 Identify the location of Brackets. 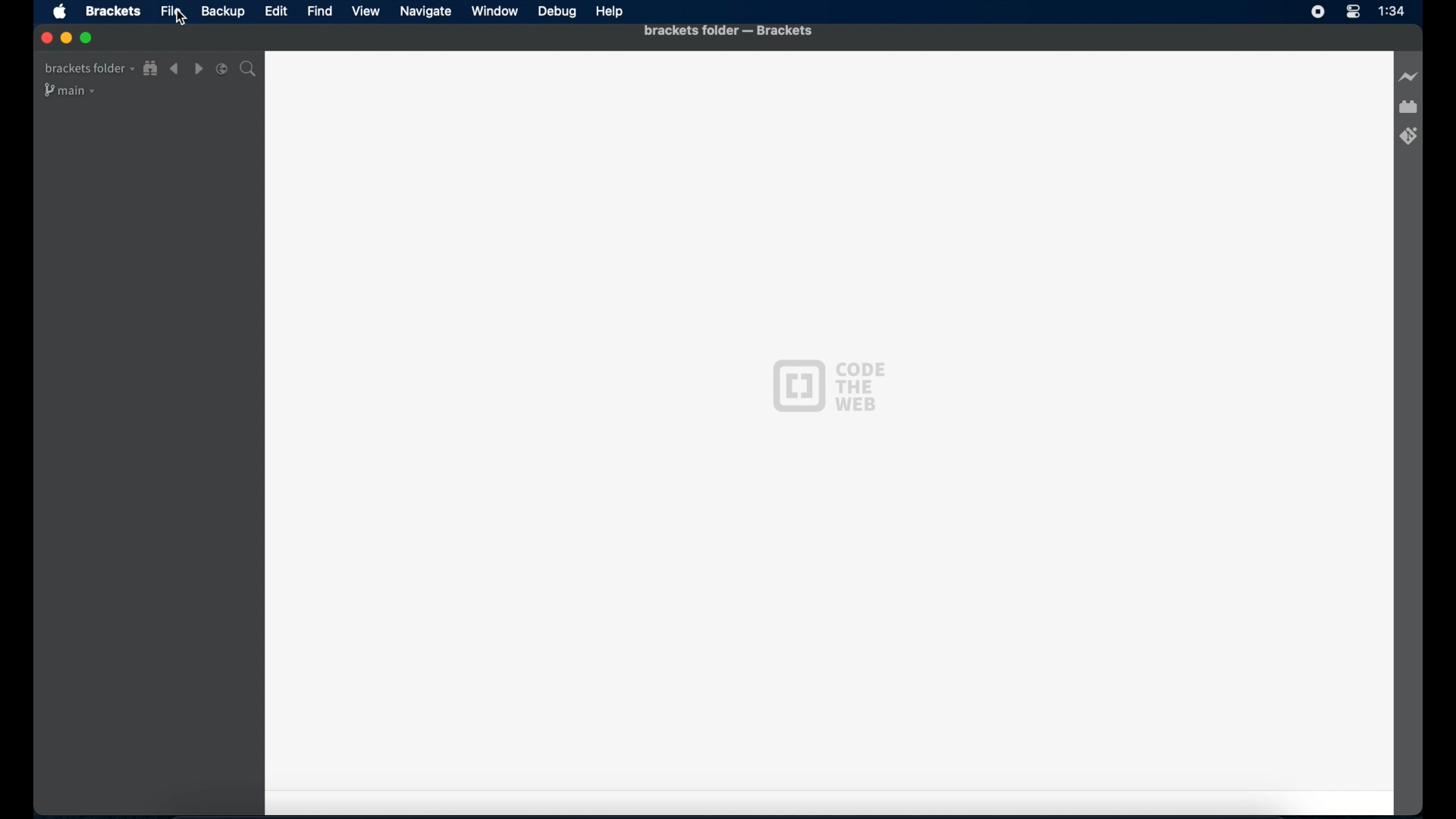
(114, 11).